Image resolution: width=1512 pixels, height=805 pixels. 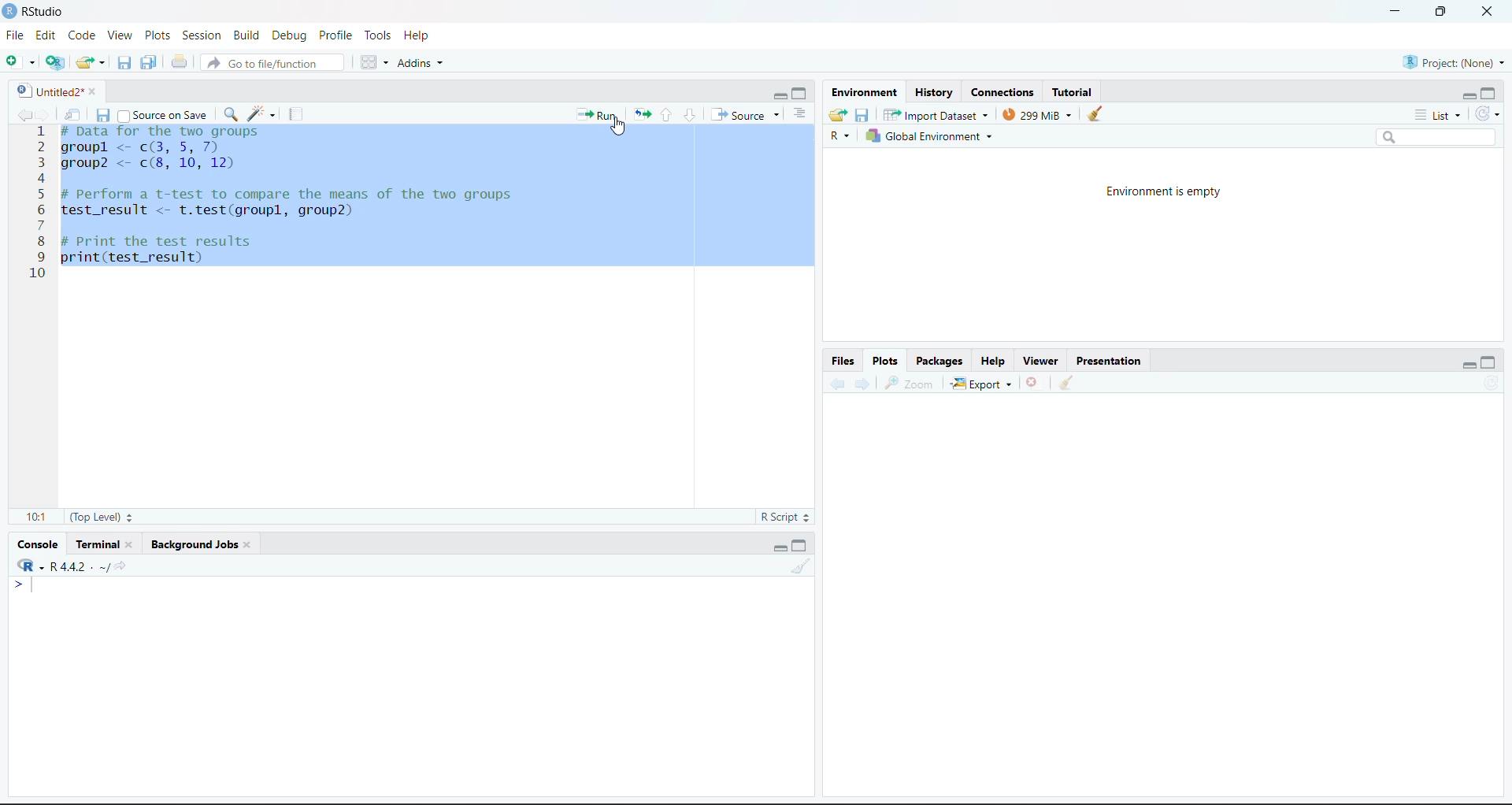 I want to click on clear console, so click(x=799, y=566).